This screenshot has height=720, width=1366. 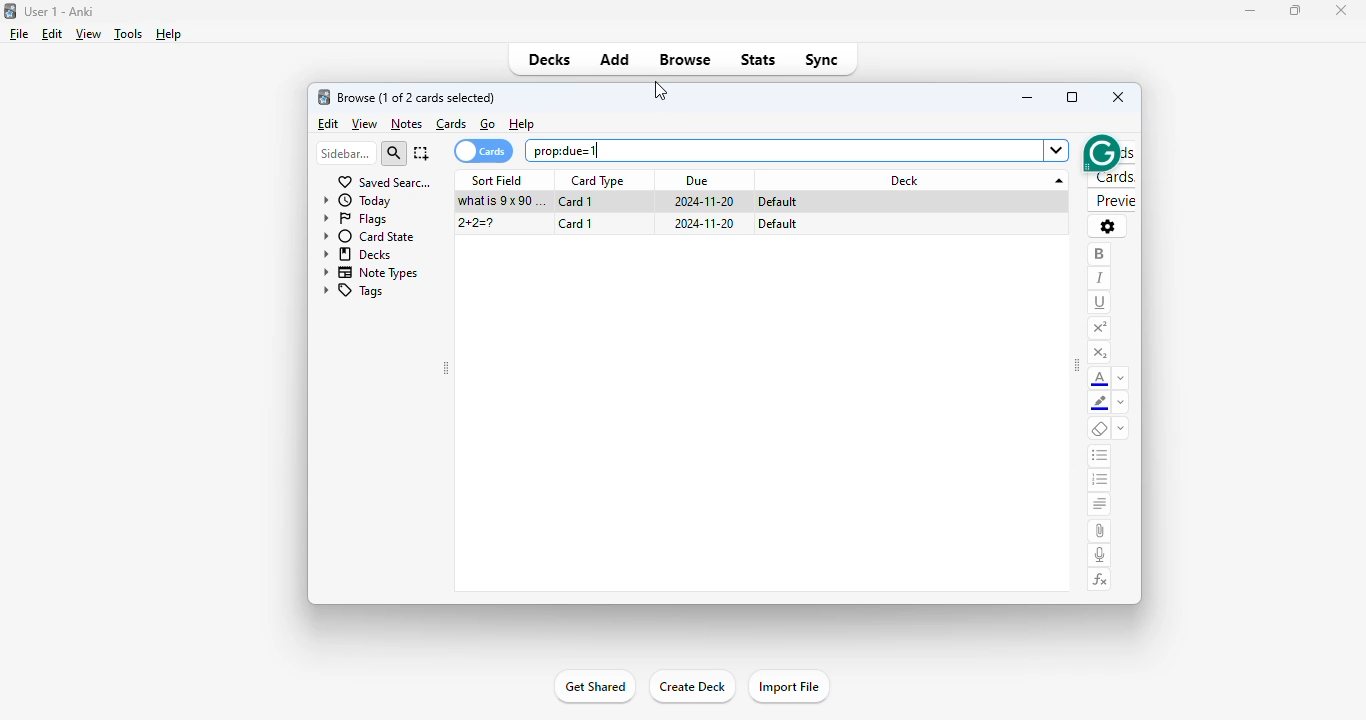 I want to click on prop:due=1, so click(x=563, y=151).